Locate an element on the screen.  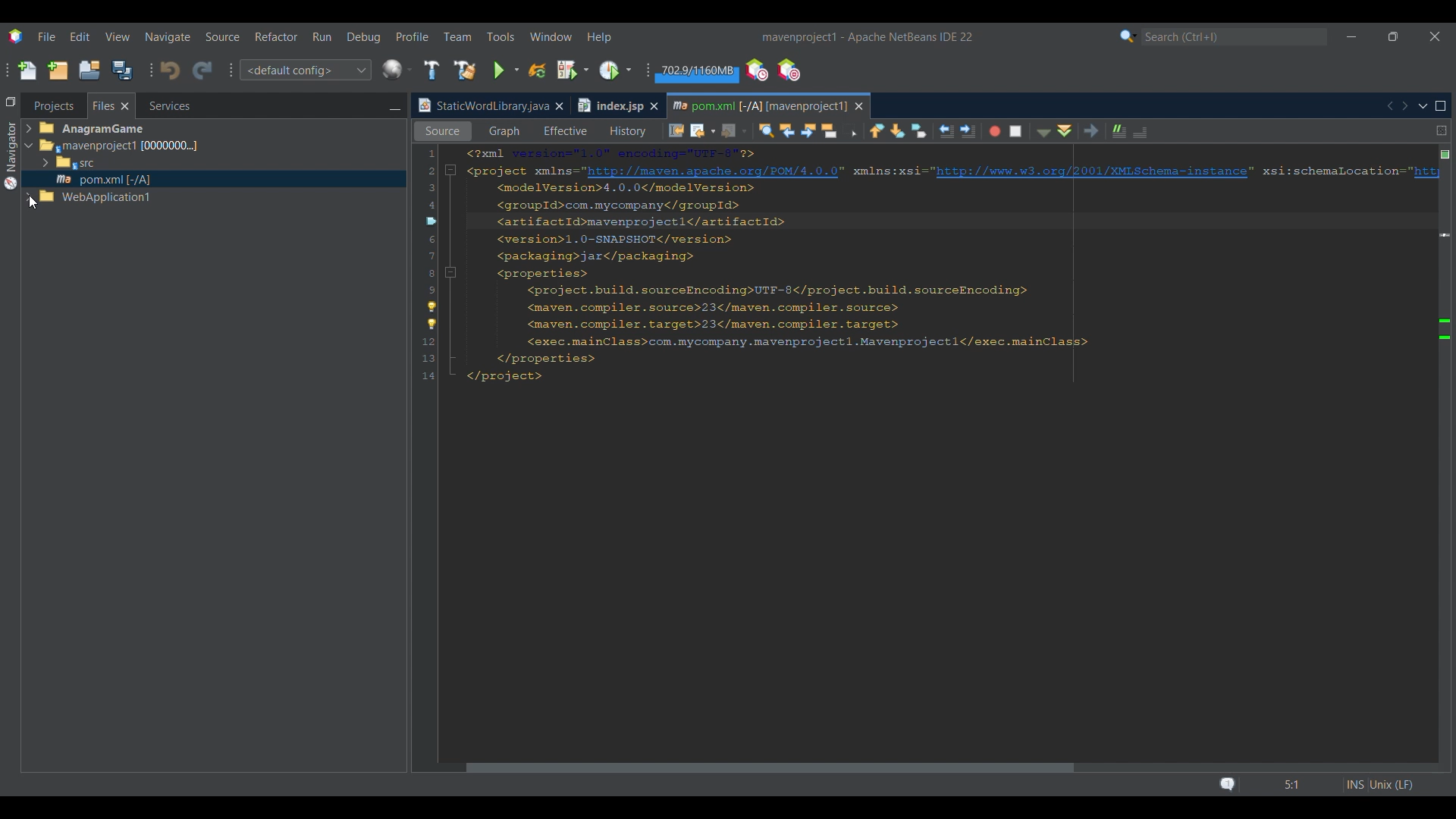
Window menu is located at coordinates (551, 36).